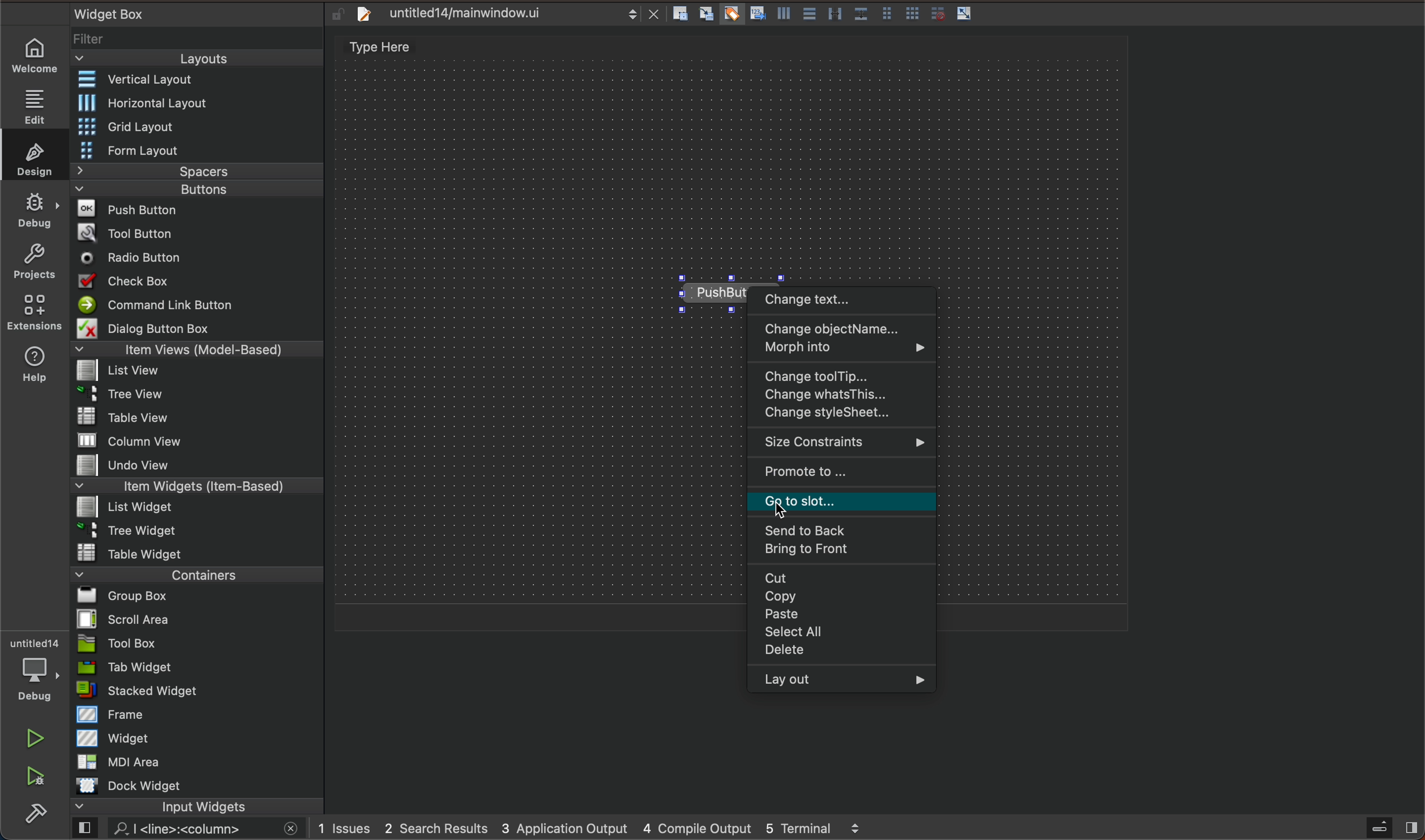  What do you see at coordinates (840, 529) in the screenshot?
I see `send to back` at bounding box center [840, 529].